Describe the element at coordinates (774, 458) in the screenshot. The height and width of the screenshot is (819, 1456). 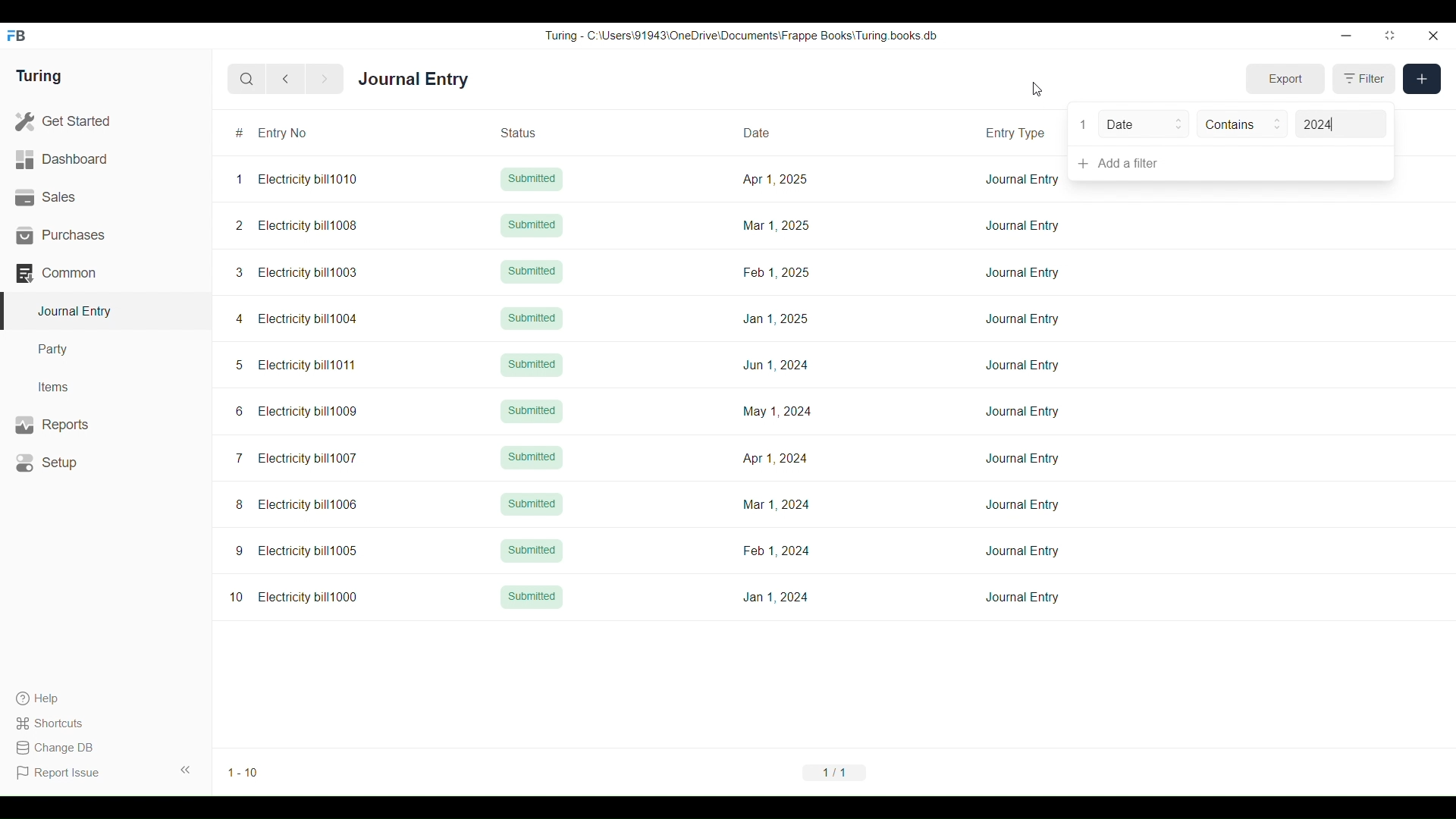
I see `Apr 1, 2024` at that location.